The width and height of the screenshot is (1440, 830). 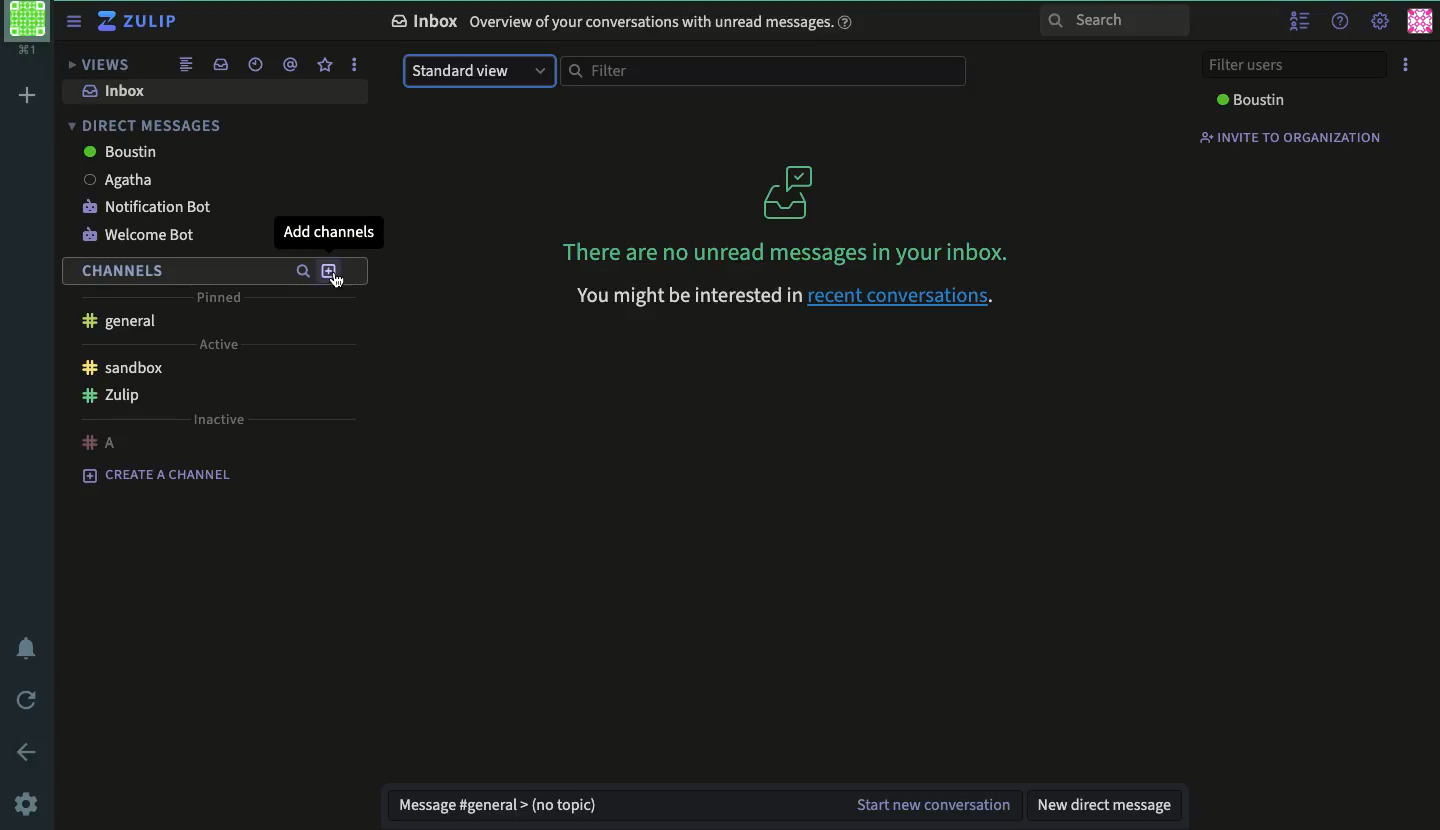 What do you see at coordinates (114, 269) in the screenshot?
I see `channels` at bounding box center [114, 269].